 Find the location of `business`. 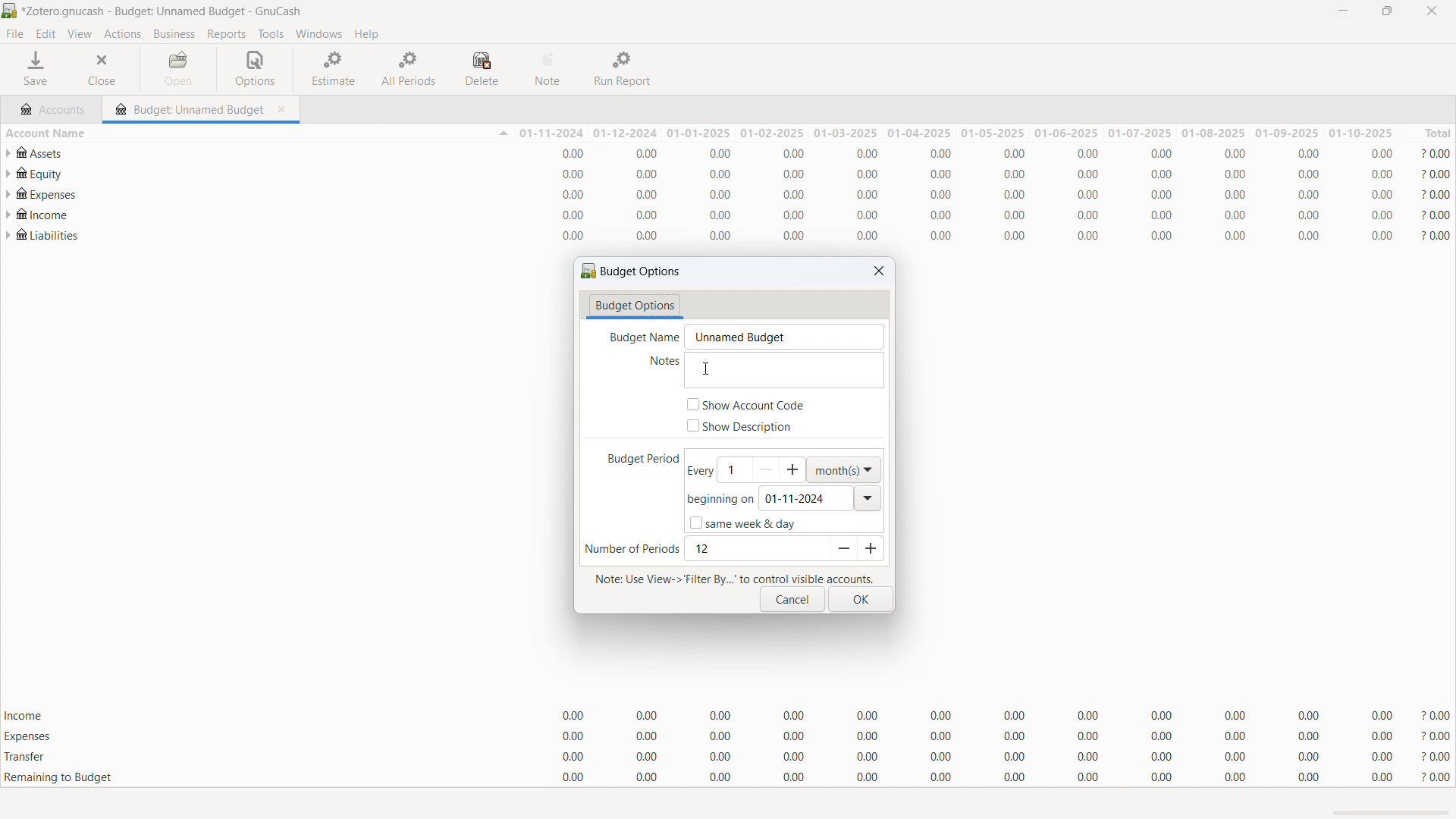

business is located at coordinates (174, 34).